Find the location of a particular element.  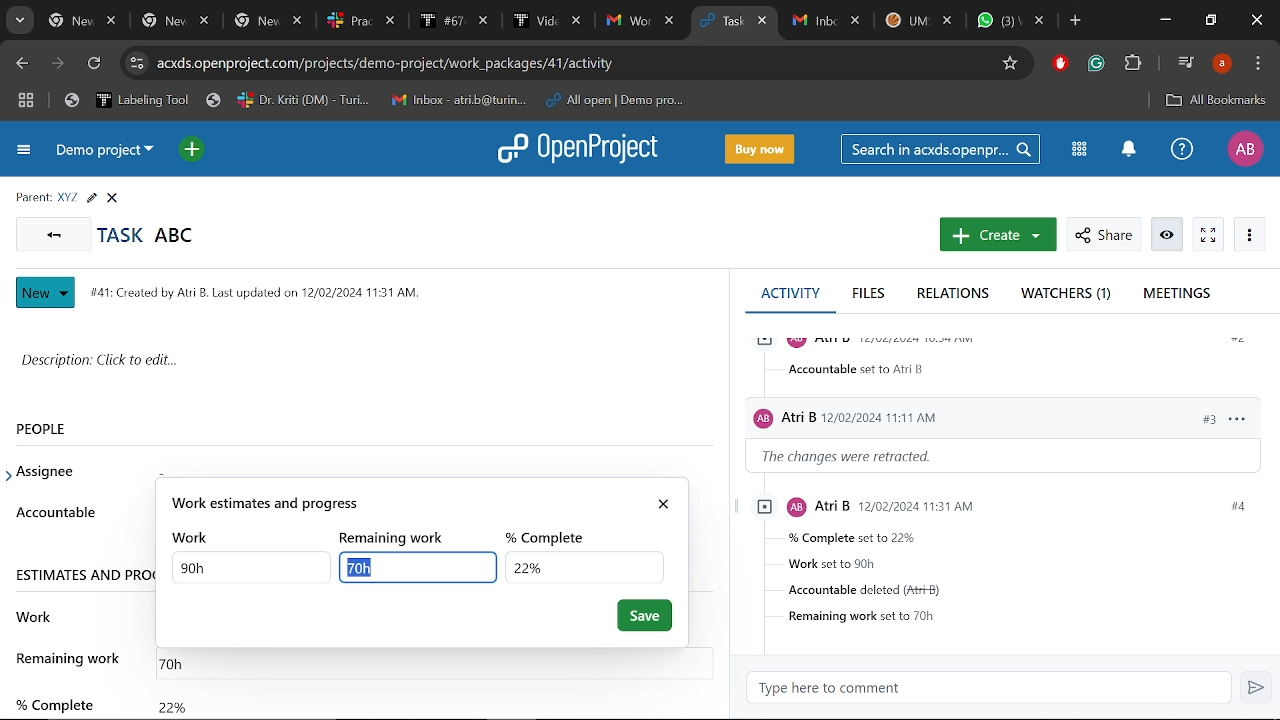

Send is located at coordinates (1258, 689).